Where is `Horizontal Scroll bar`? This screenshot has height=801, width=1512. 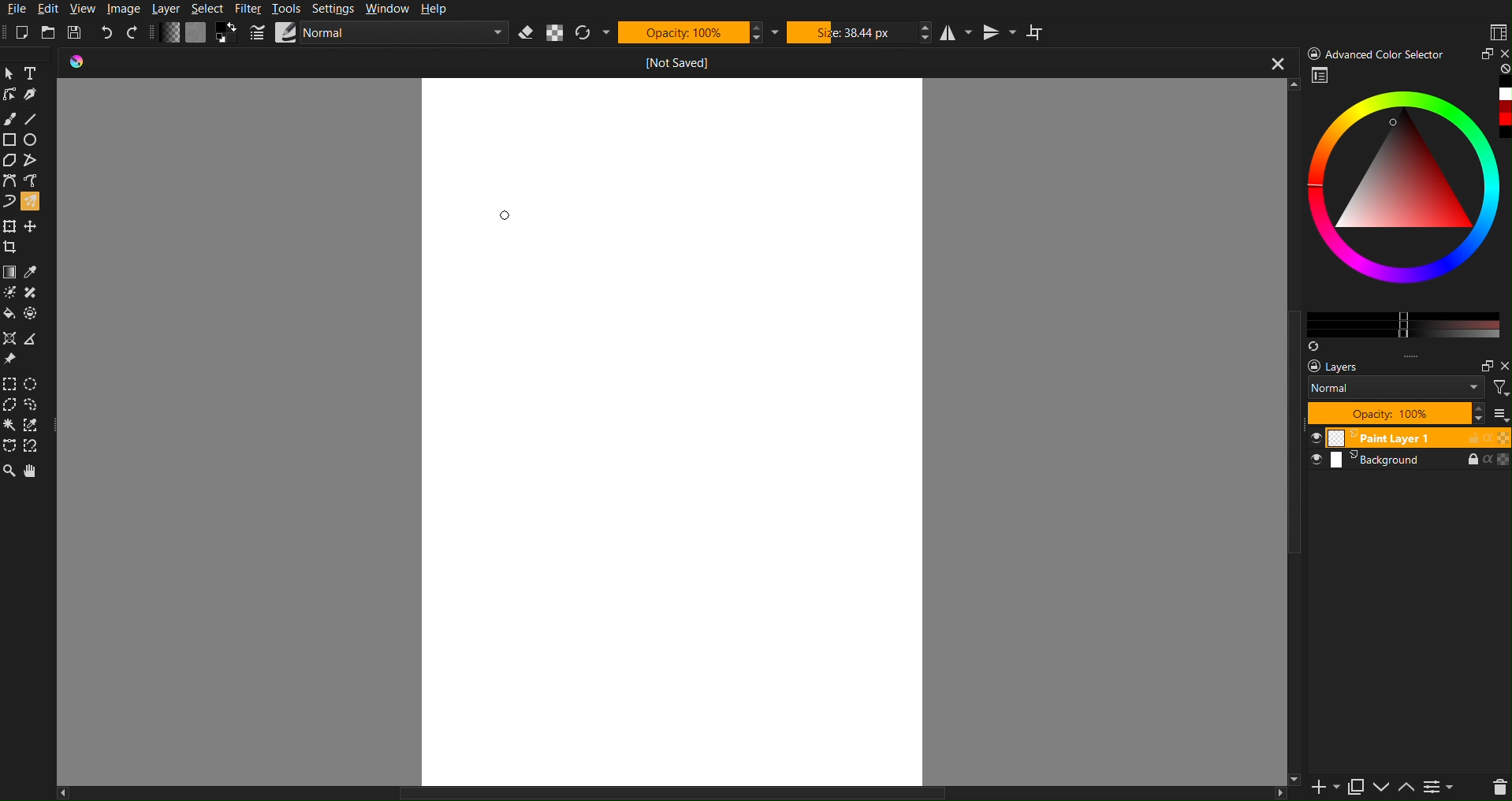 Horizontal Scroll bar is located at coordinates (644, 792).